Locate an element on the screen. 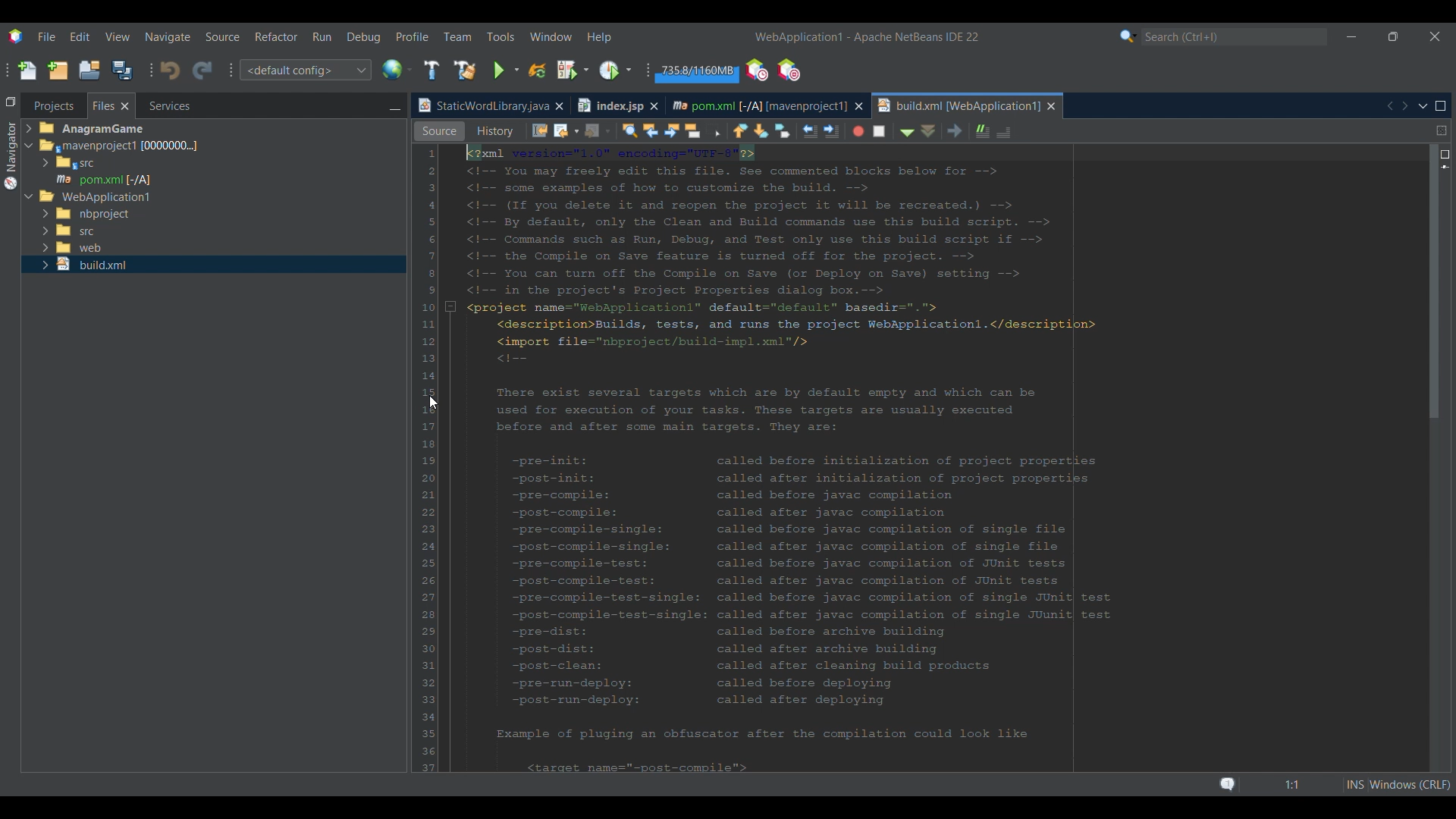 The width and height of the screenshot is (1456, 819). Markers is located at coordinates (1444, 666).